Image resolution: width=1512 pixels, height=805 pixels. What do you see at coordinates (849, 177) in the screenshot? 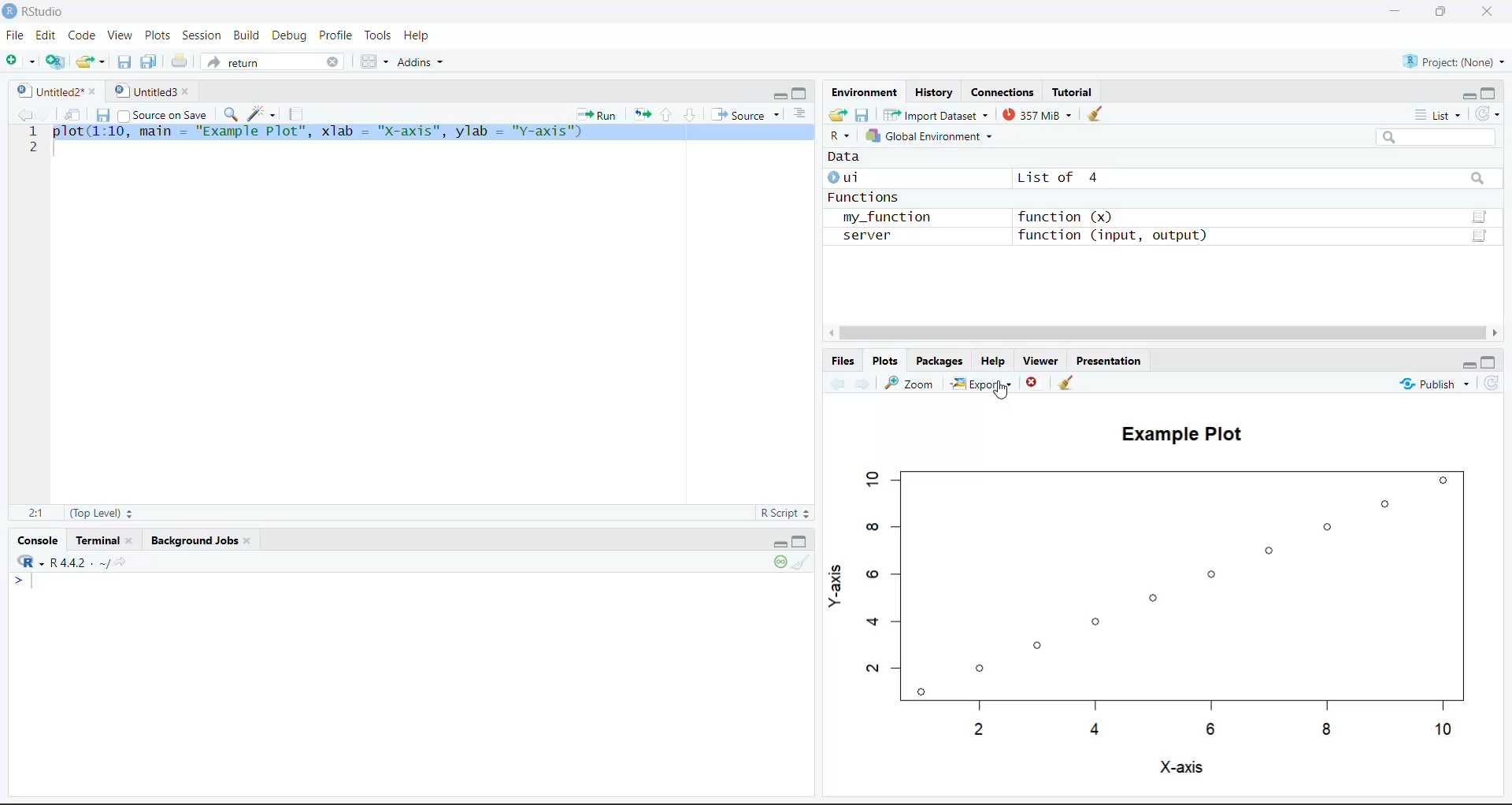
I see `ui` at bounding box center [849, 177].